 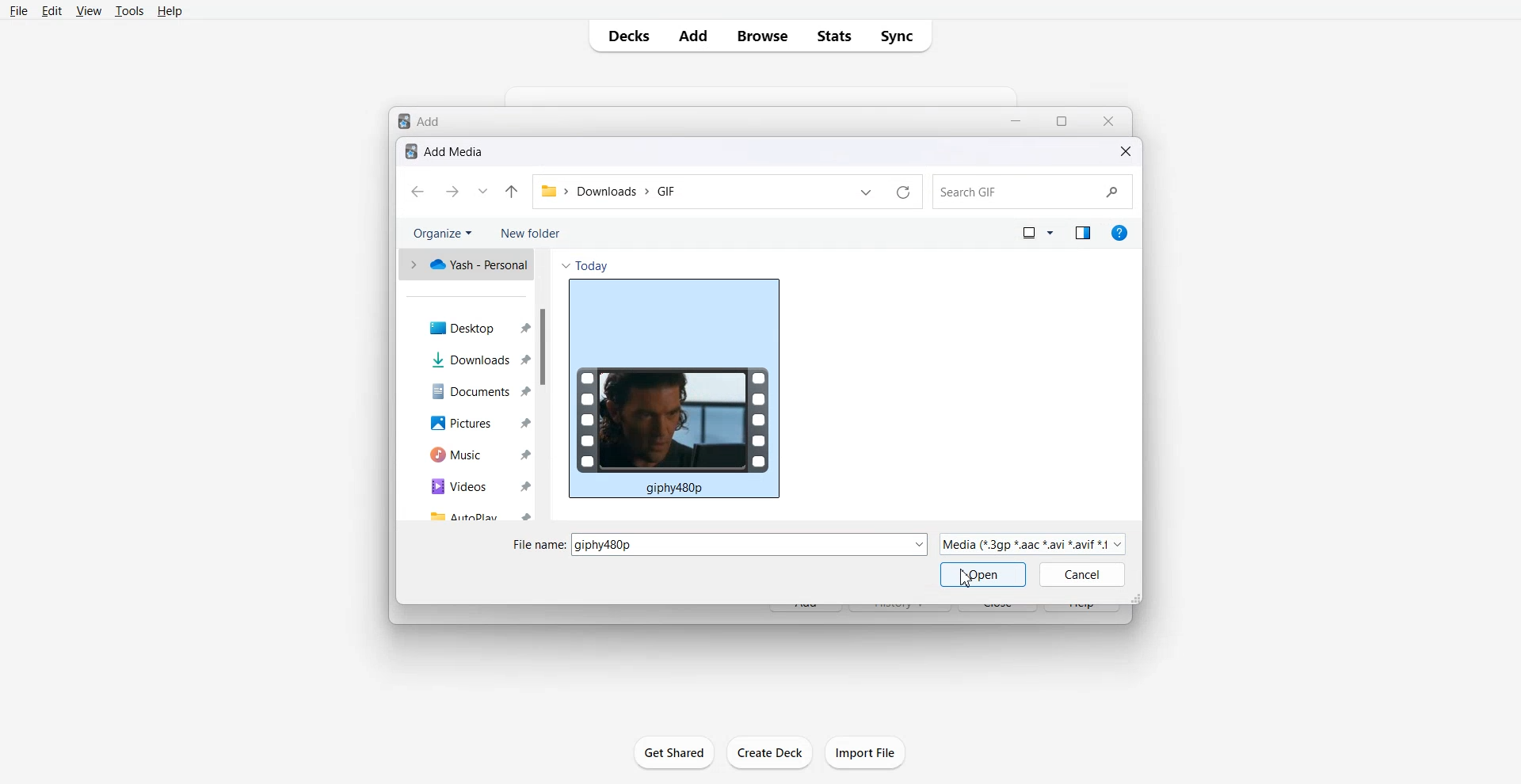 What do you see at coordinates (472, 454) in the screenshot?
I see `Music` at bounding box center [472, 454].